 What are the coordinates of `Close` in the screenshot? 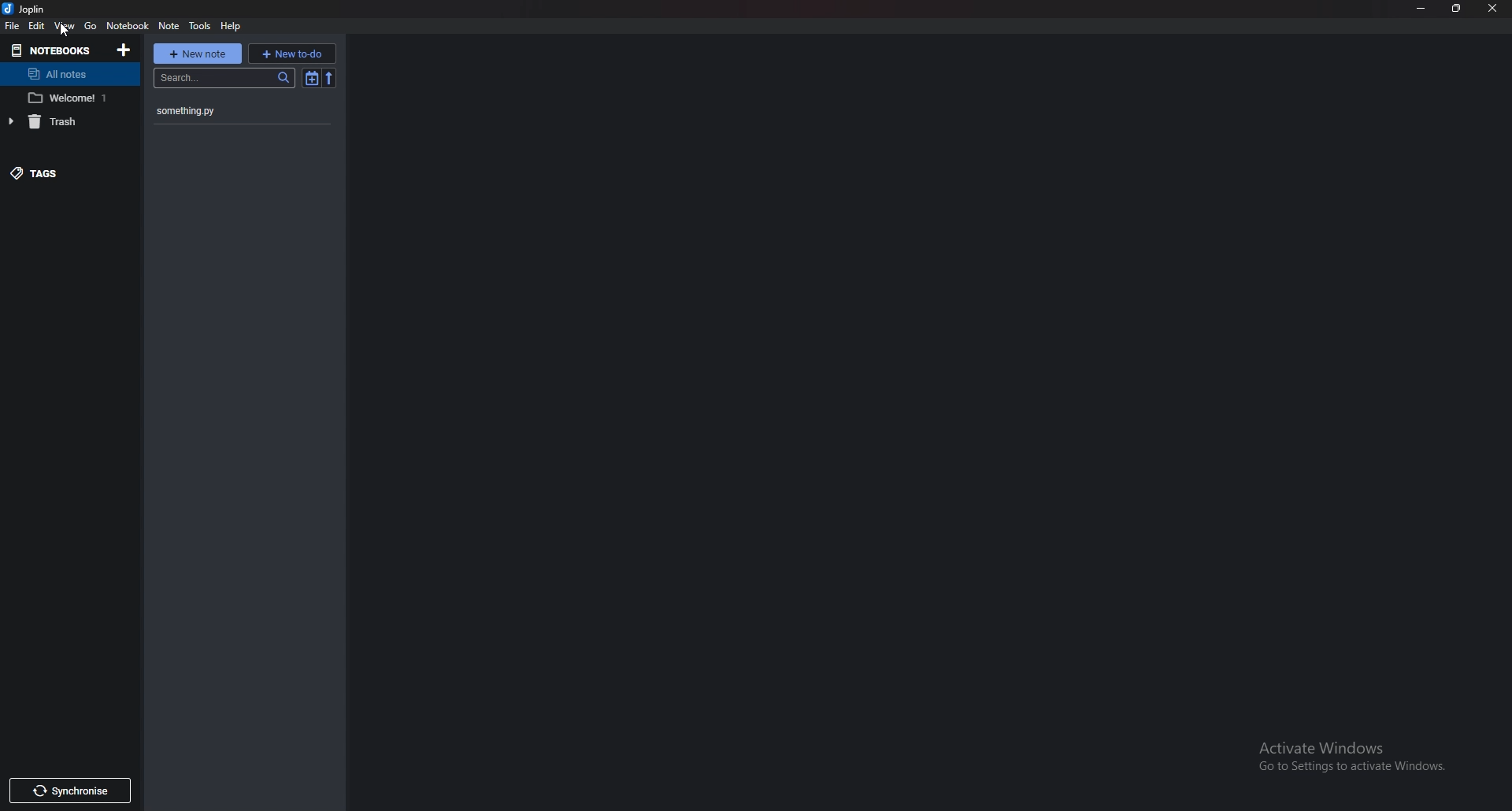 It's located at (1488, 9).